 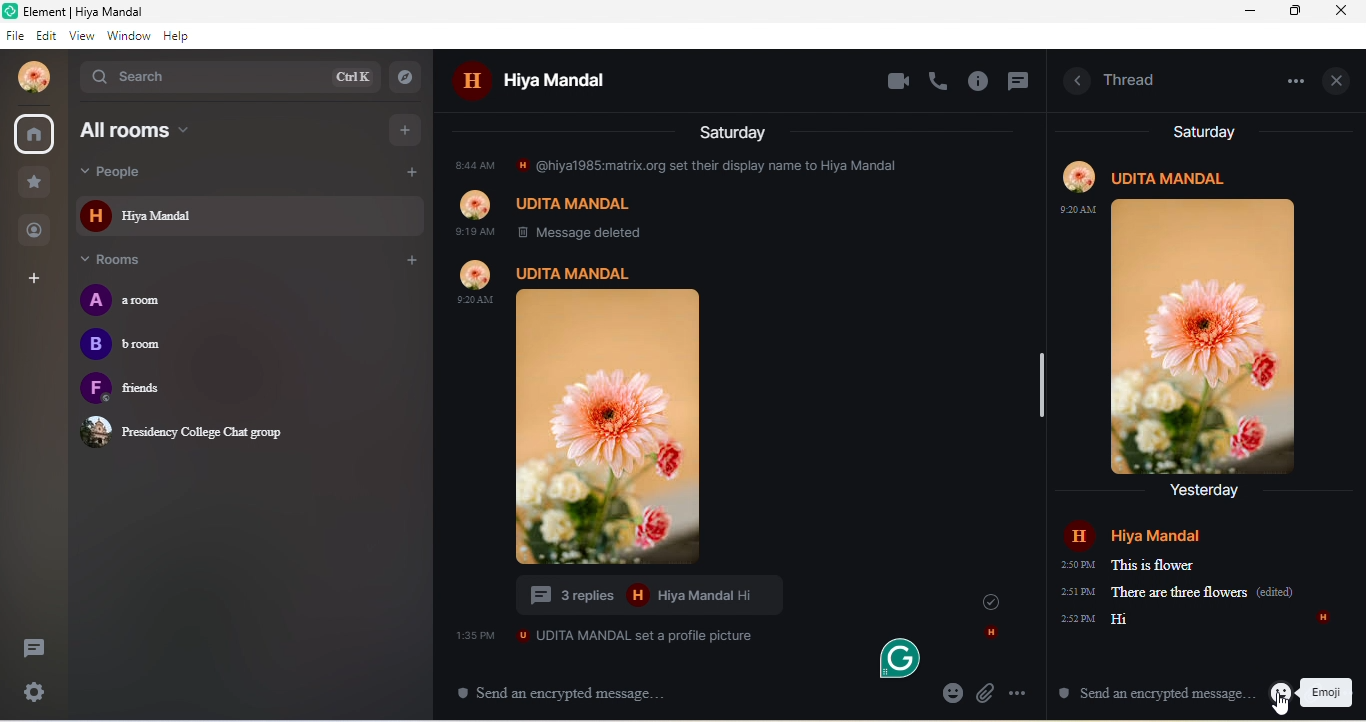 What do you see at coordinates (1340, 10) in the screenshot?
I see `close` at bounding box center [1340, 10].